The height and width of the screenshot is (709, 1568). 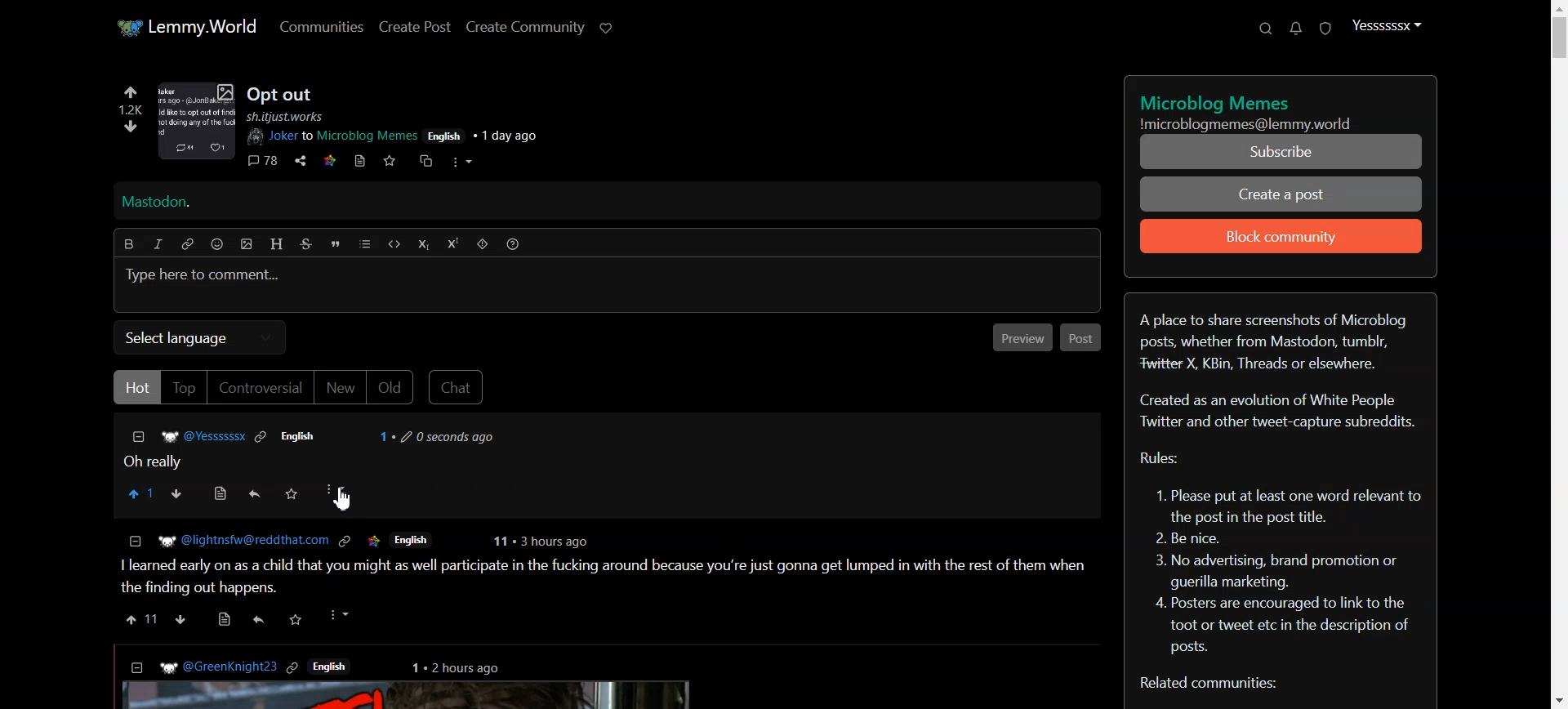 What do you see at coordinates (136, 386) in the screenshot?
I see `Hot` at bounding box center [136, 386].